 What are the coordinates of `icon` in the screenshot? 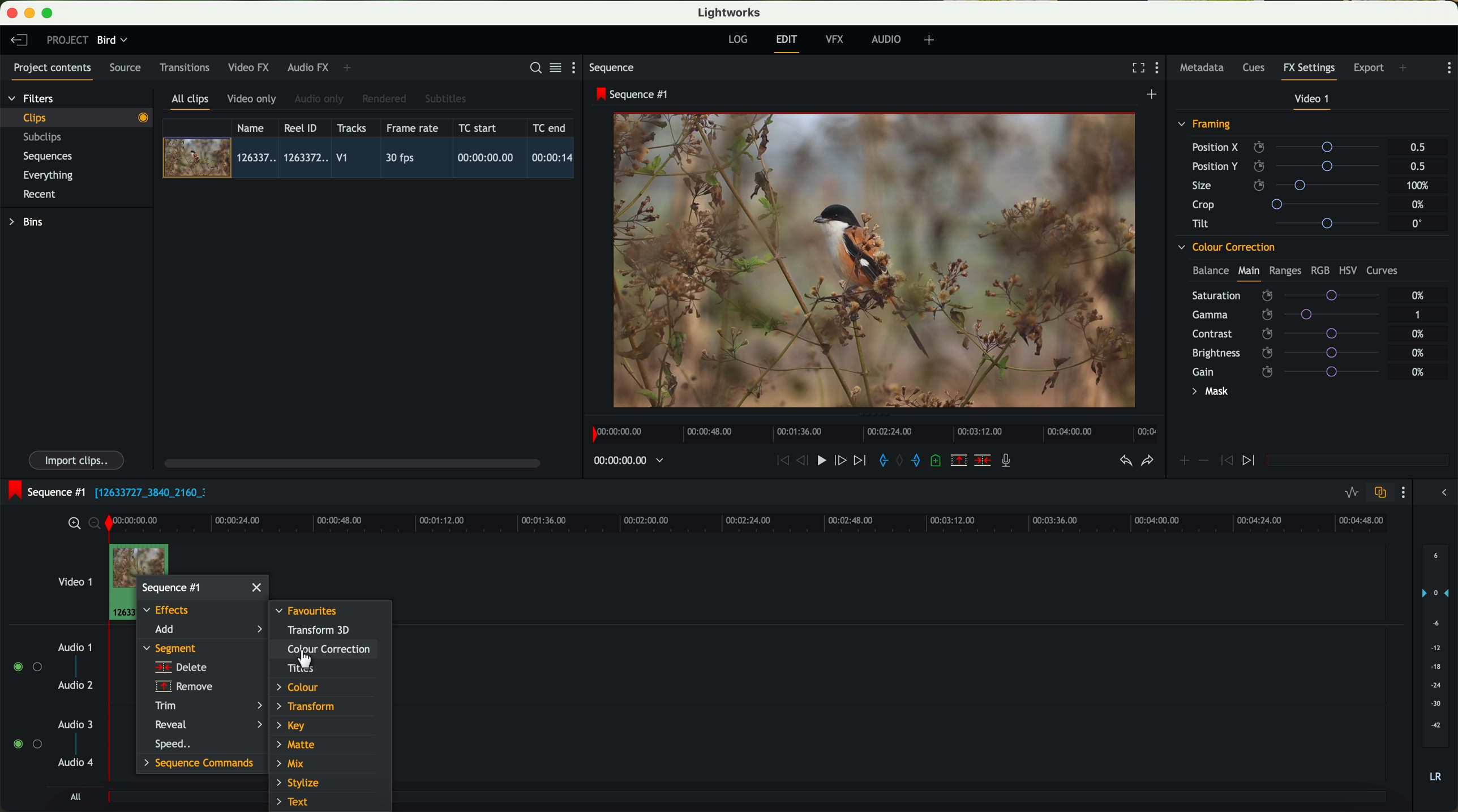 It's located at (1225, 461).